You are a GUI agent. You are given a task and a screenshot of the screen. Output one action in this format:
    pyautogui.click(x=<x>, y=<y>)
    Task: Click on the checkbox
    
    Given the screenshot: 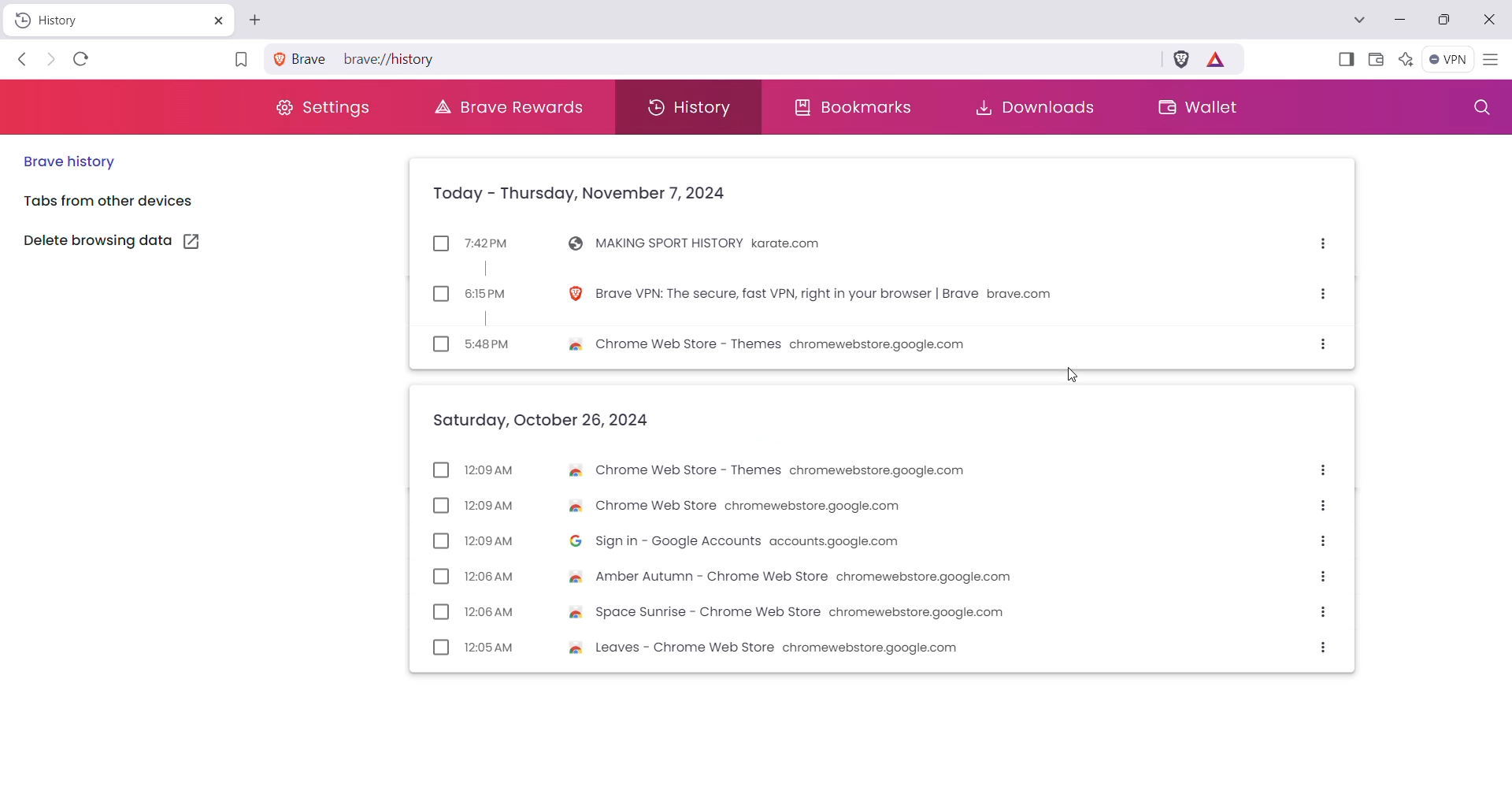 What is the action you would take?
    pyautogui.click(x=440, y=243)
    